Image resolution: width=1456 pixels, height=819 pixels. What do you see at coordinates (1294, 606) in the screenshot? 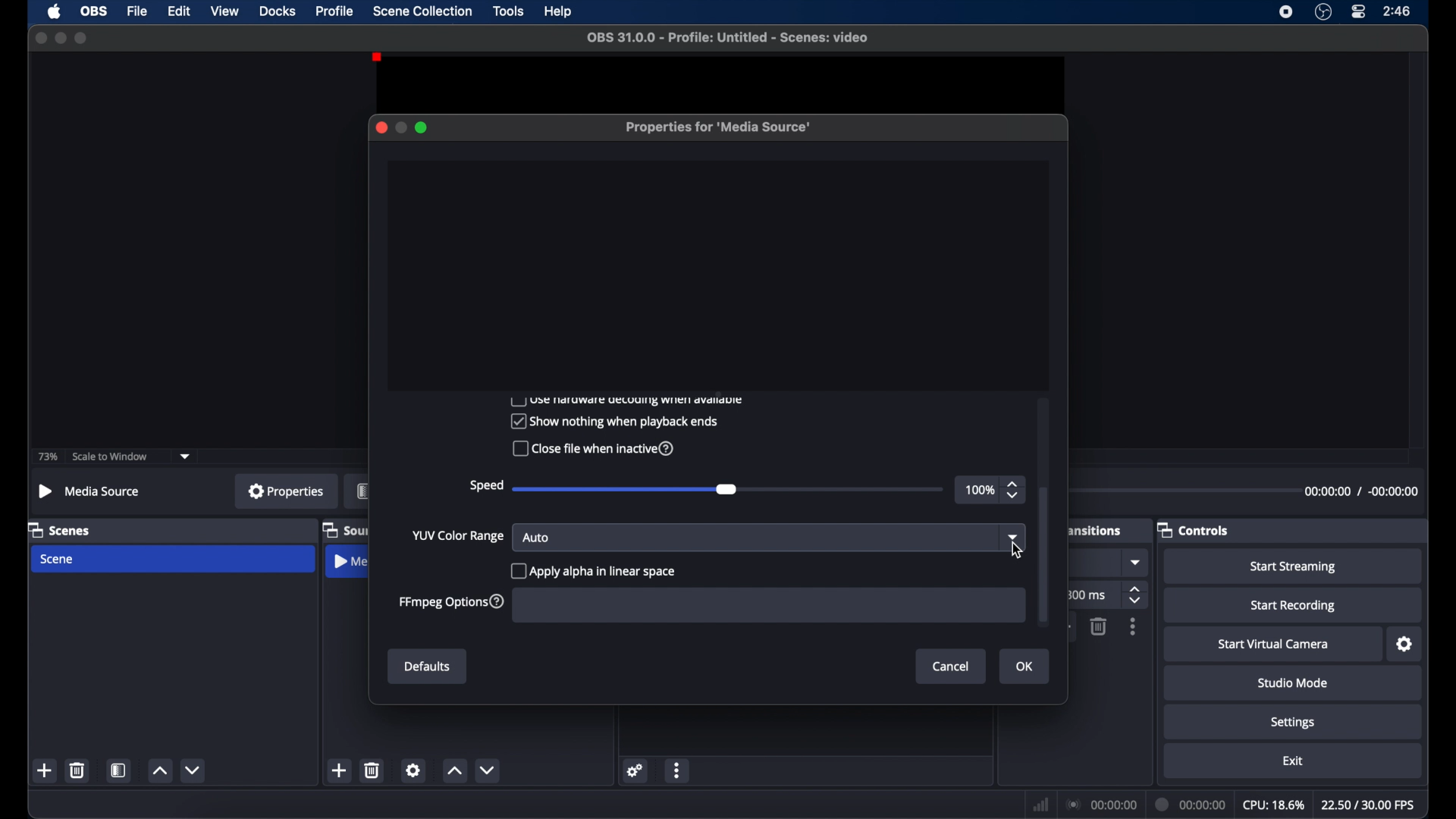
I see `start recording` at bounding box center [1294, 606].